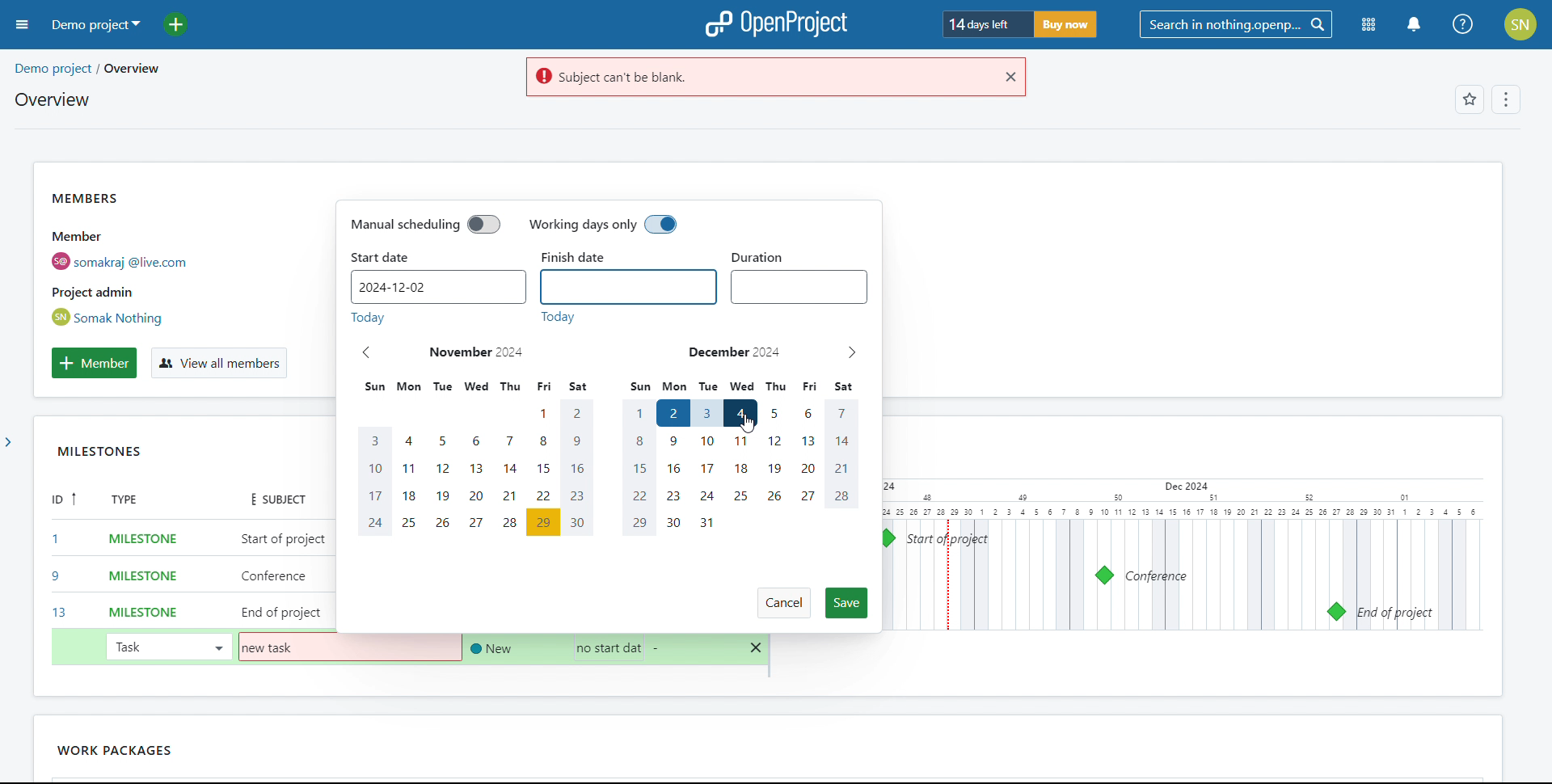 This screenshot has width=1552, height=784. What do you see at coordinates (1235, 25) in the screenshot?
I see `search` at bounding box center [1235, 25].